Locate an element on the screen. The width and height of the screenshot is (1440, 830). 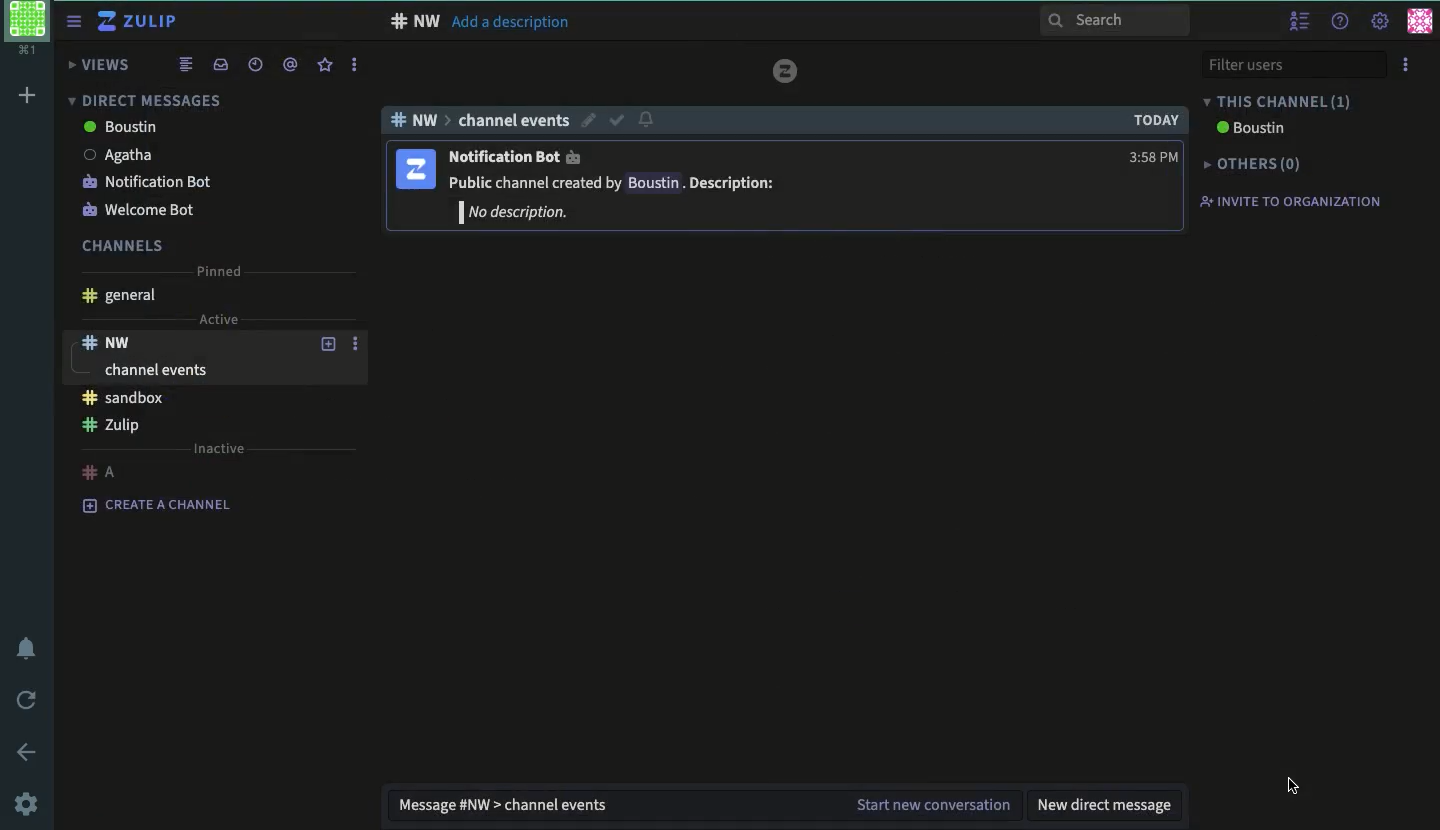
filter users is located at coordinates (1291, 65).